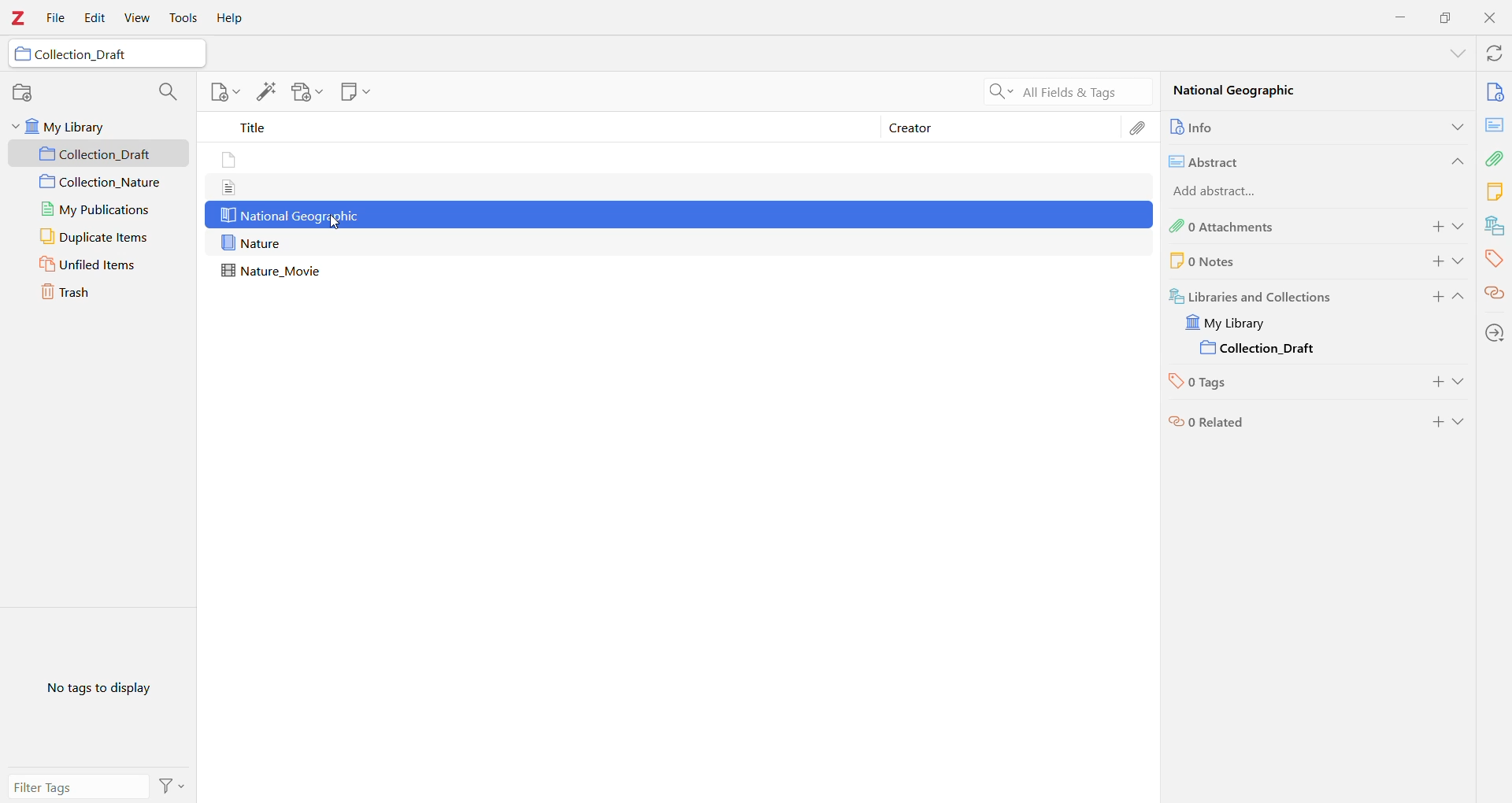  What do you see at coordinates (1247, 93) in the screenshot?
I see `Selected Item Title` at bounding box center [1247, 93].